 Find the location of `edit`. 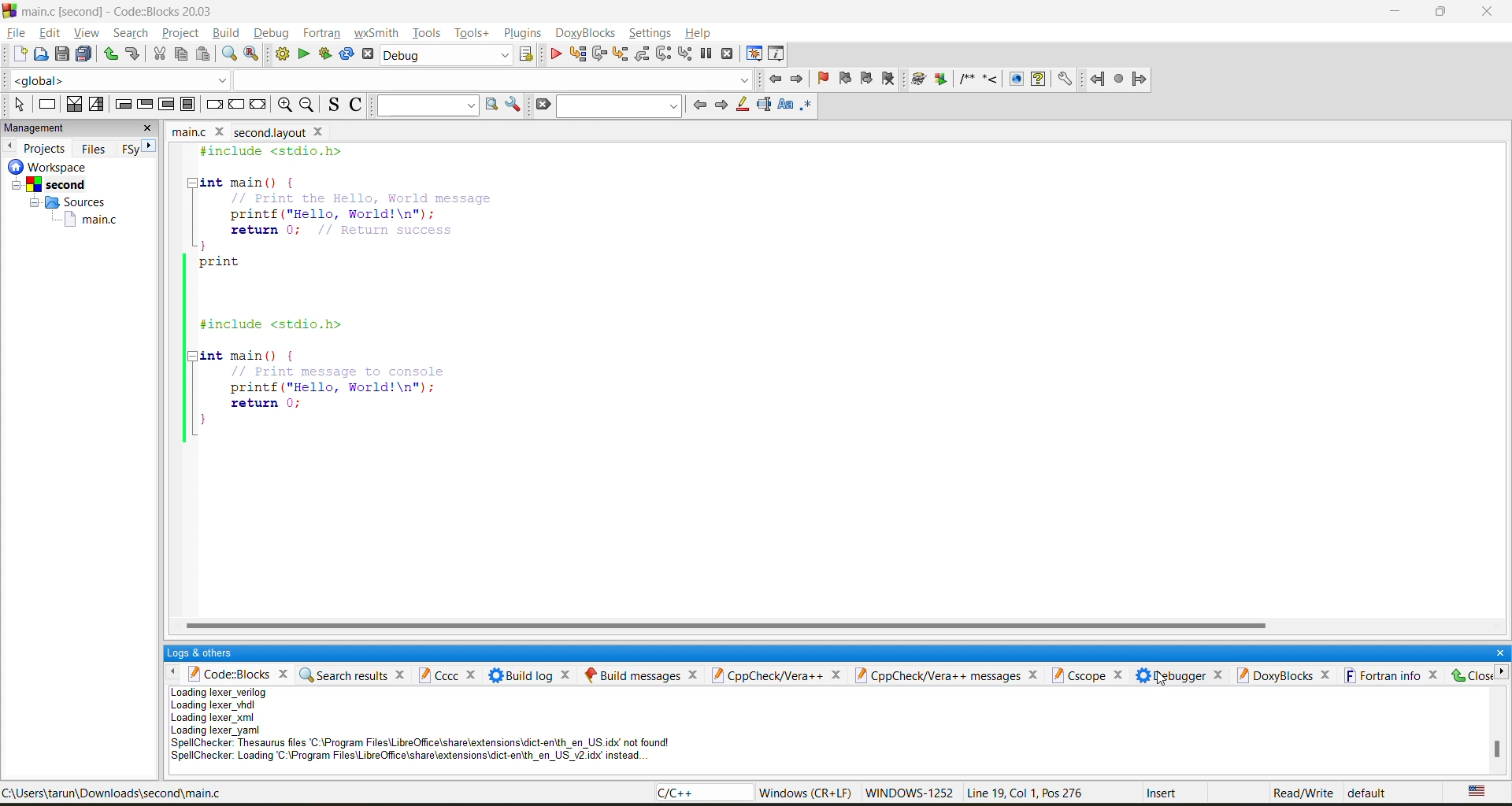

edit is located at coordinates (50, 32).